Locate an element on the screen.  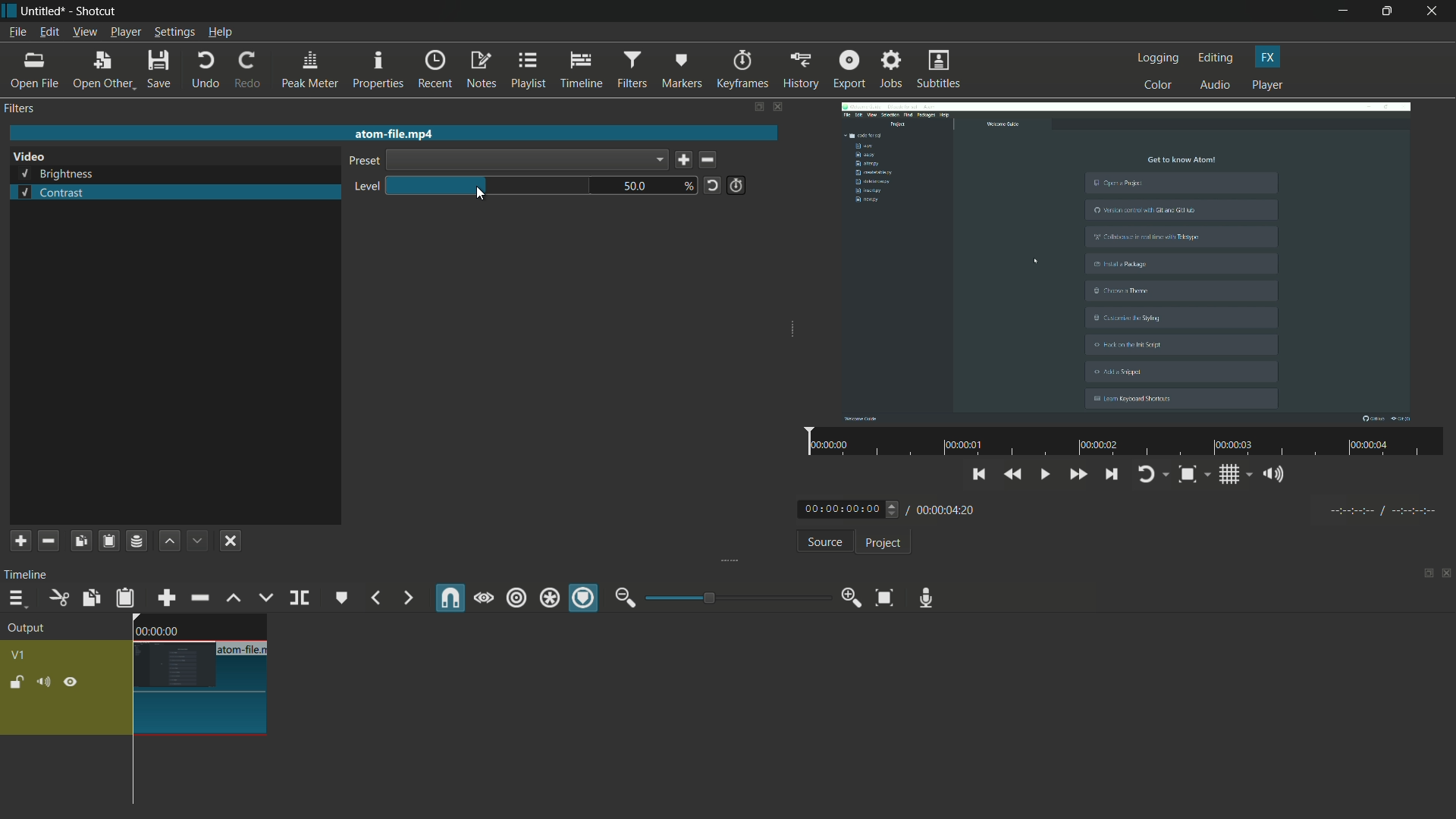
copy is located at coordinates (89, 598).